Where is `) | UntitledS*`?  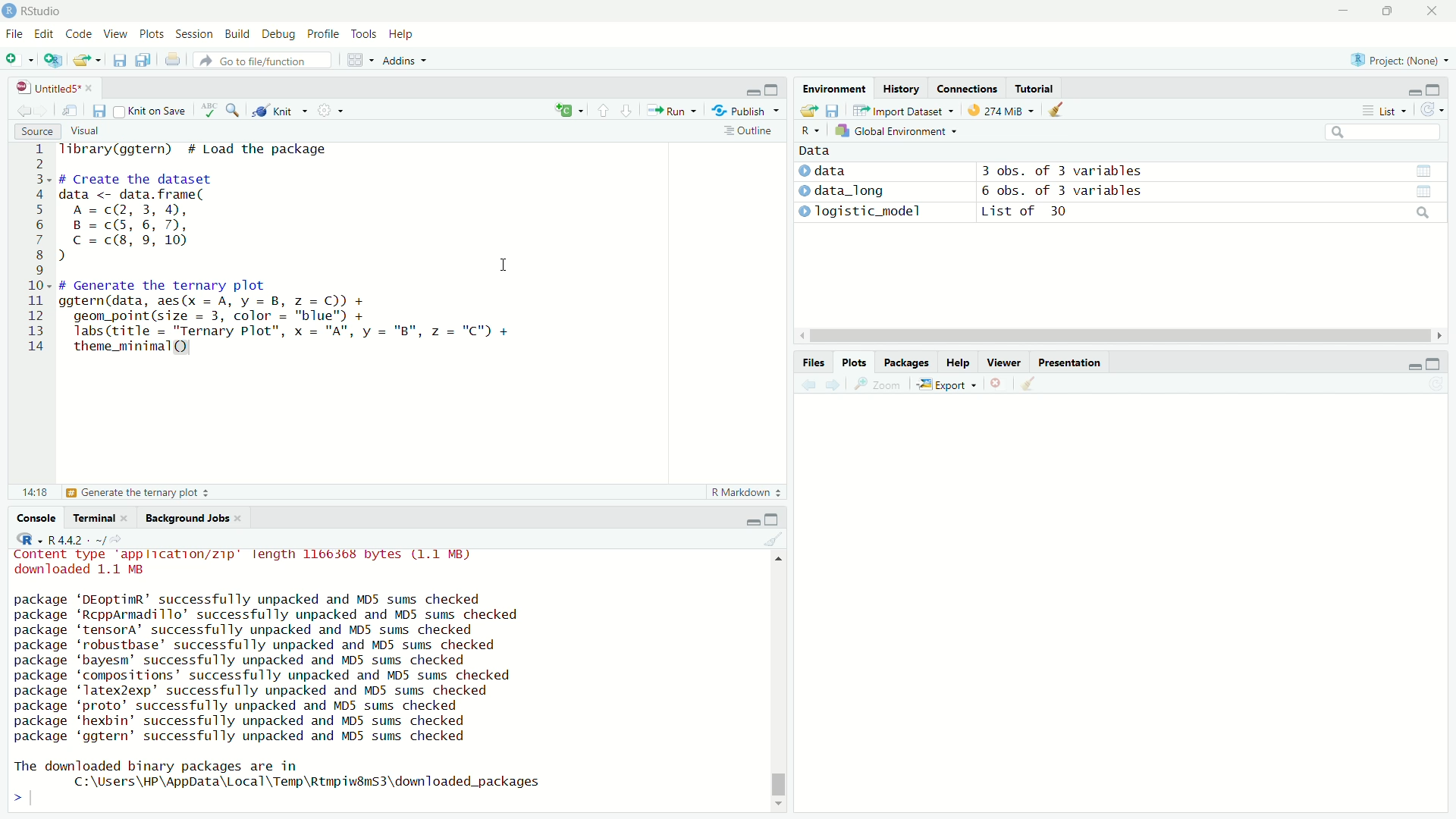
) | UntitledS* is located at coordinates (47, 86).